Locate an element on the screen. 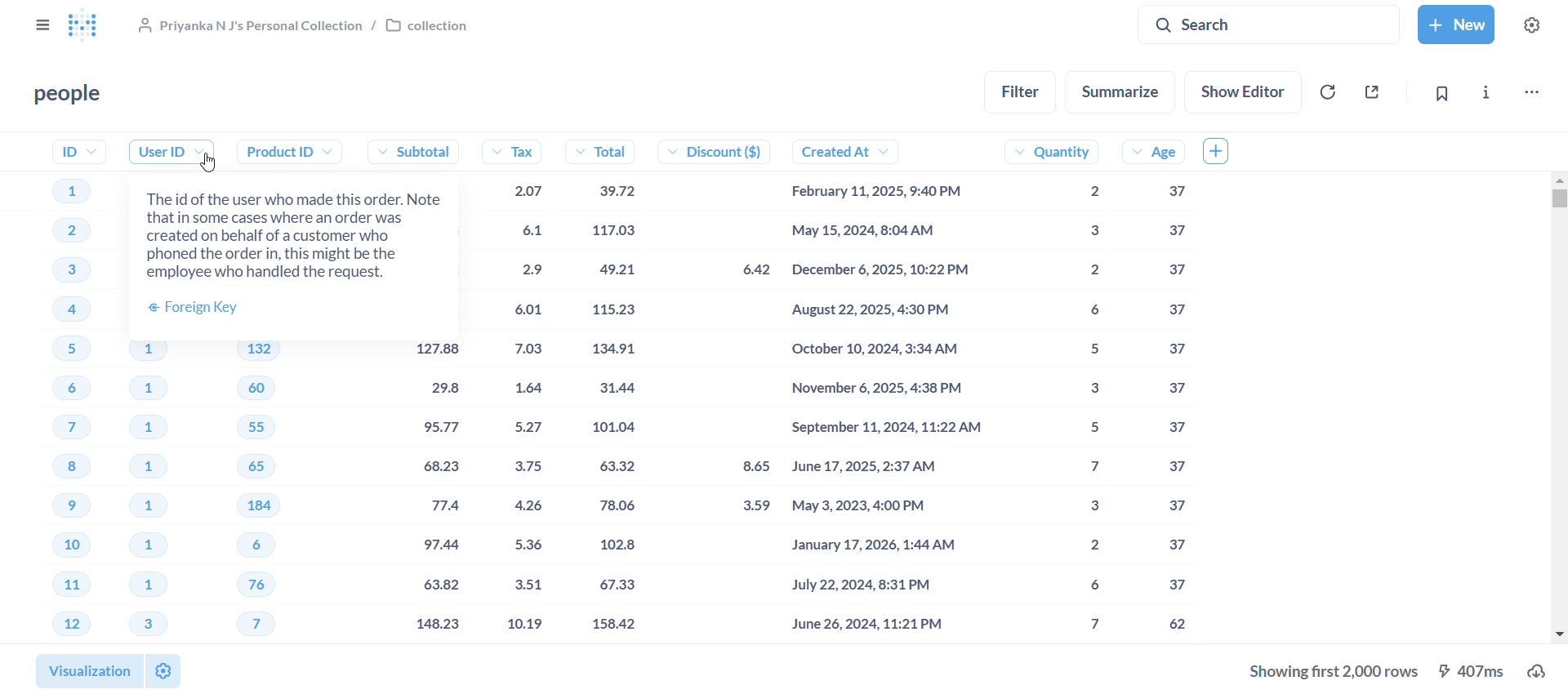 The height and width of the screenshot is (694, 1568). collection is located at coordinates (307, 27).